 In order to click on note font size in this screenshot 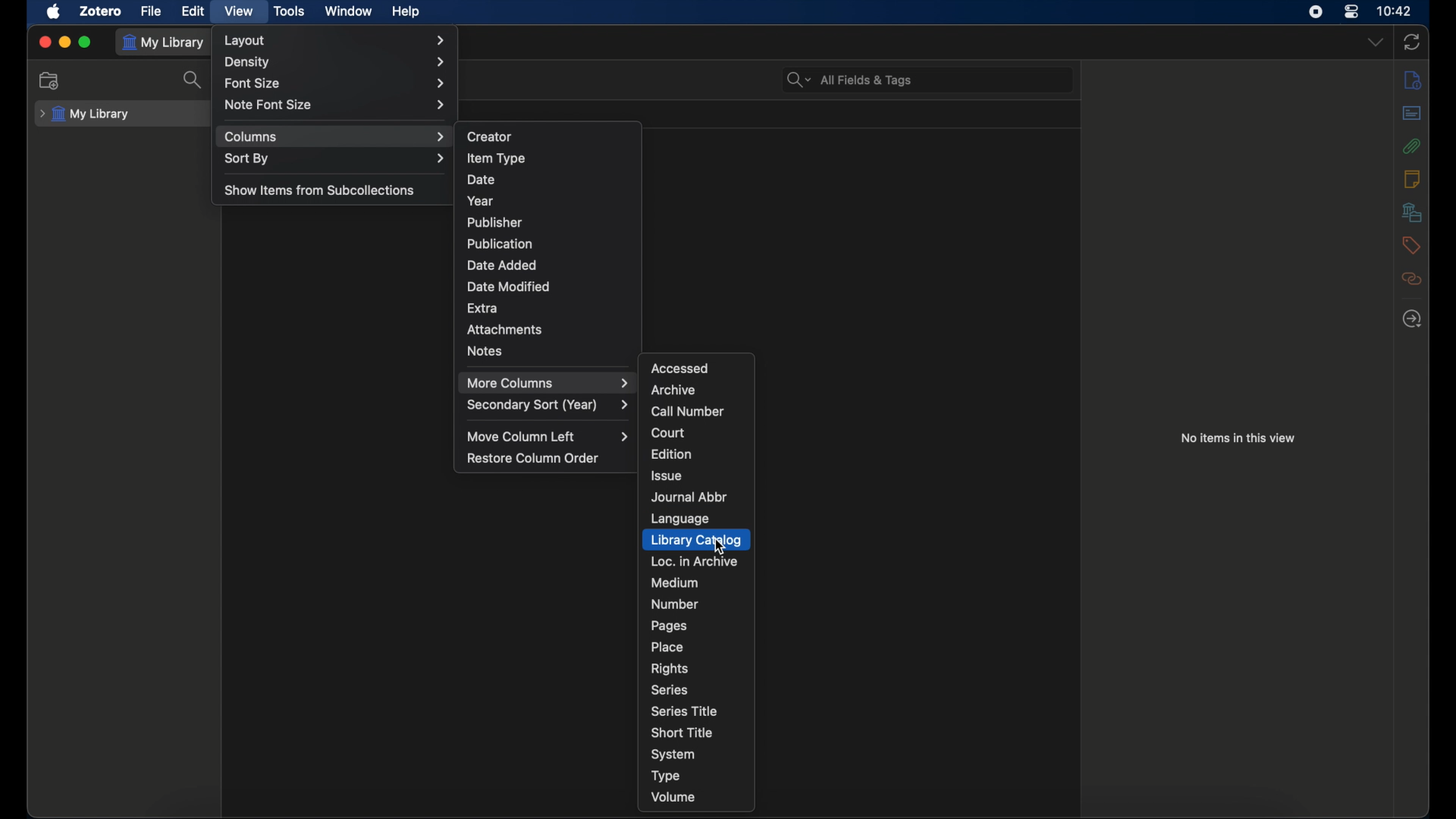, I will do `click(335, 105)`.